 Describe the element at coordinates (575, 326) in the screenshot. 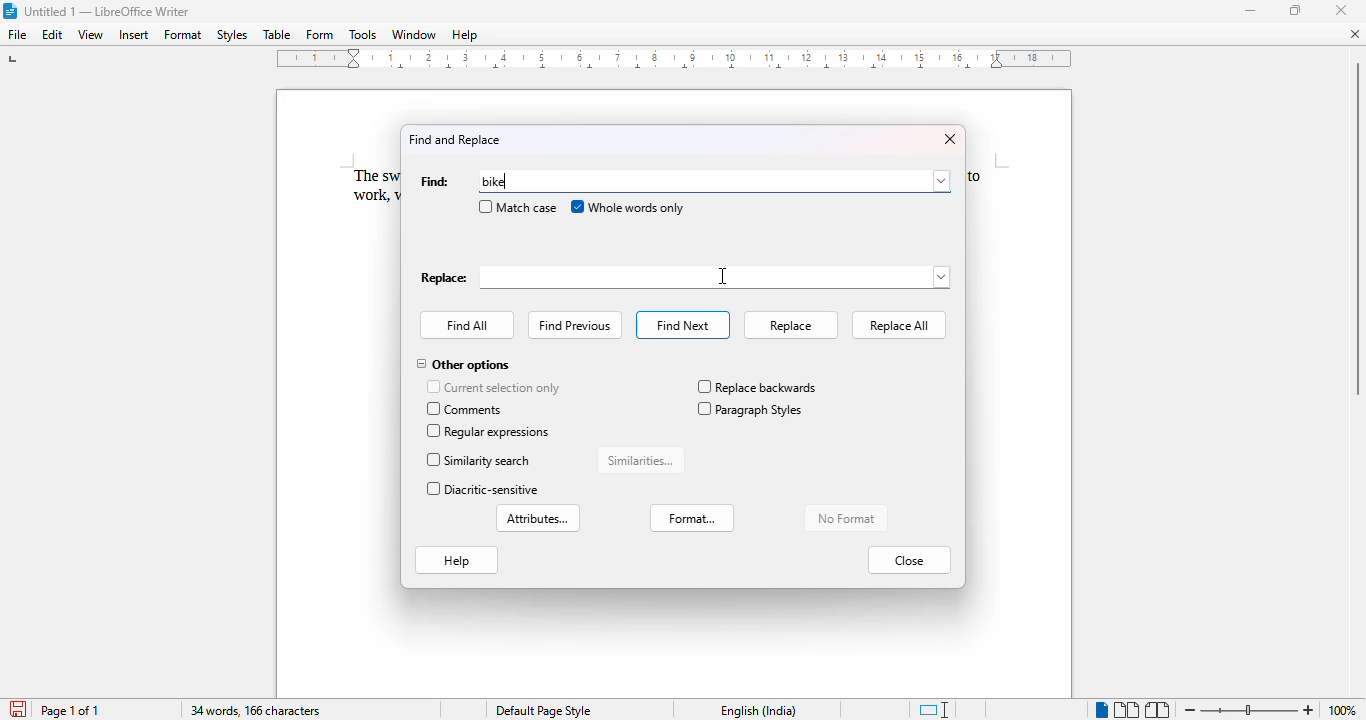

I see `find previous` at that location.